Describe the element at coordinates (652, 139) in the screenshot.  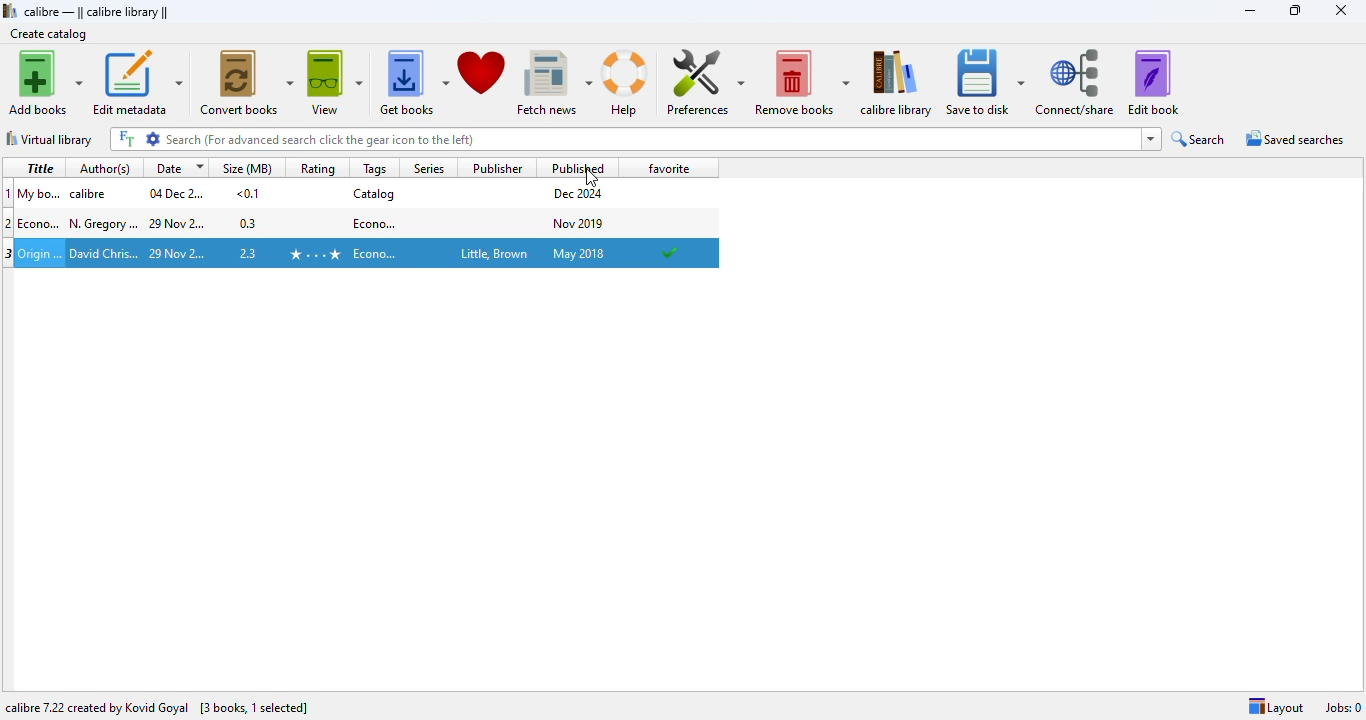
I see `search` at that location.